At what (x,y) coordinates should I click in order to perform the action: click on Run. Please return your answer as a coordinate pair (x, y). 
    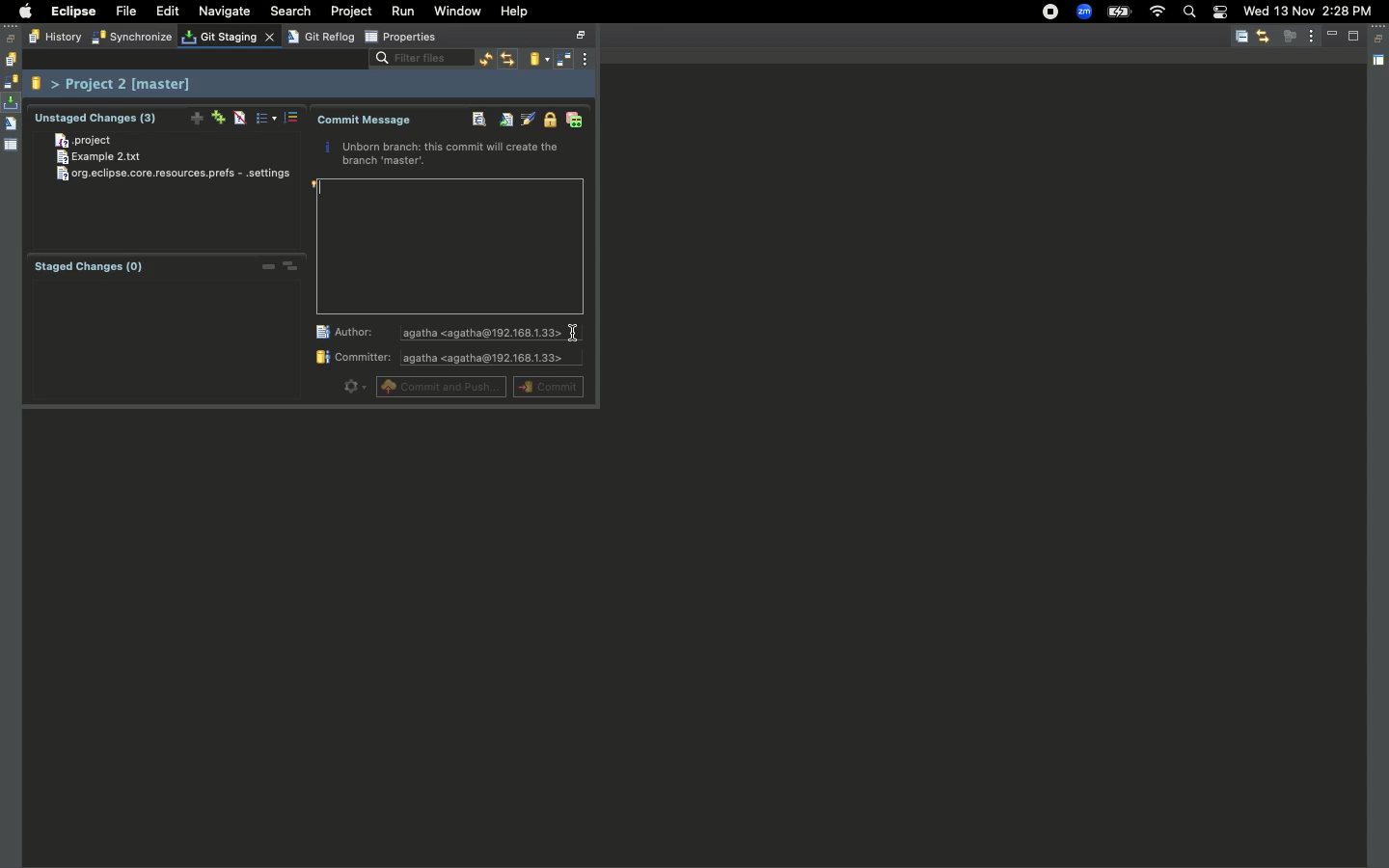
    Looking at the image, I should click on (405, 12).